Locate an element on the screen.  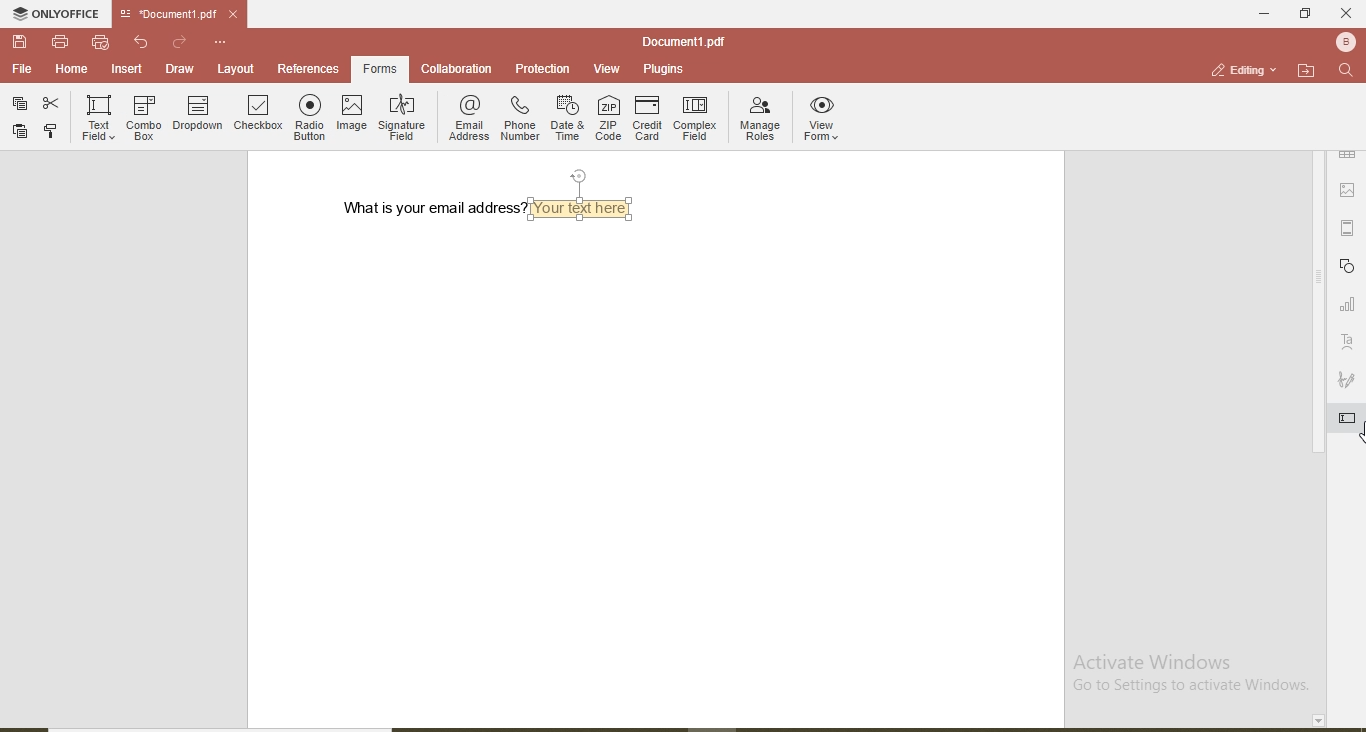
dropdown is located at coordinates (197, 118).